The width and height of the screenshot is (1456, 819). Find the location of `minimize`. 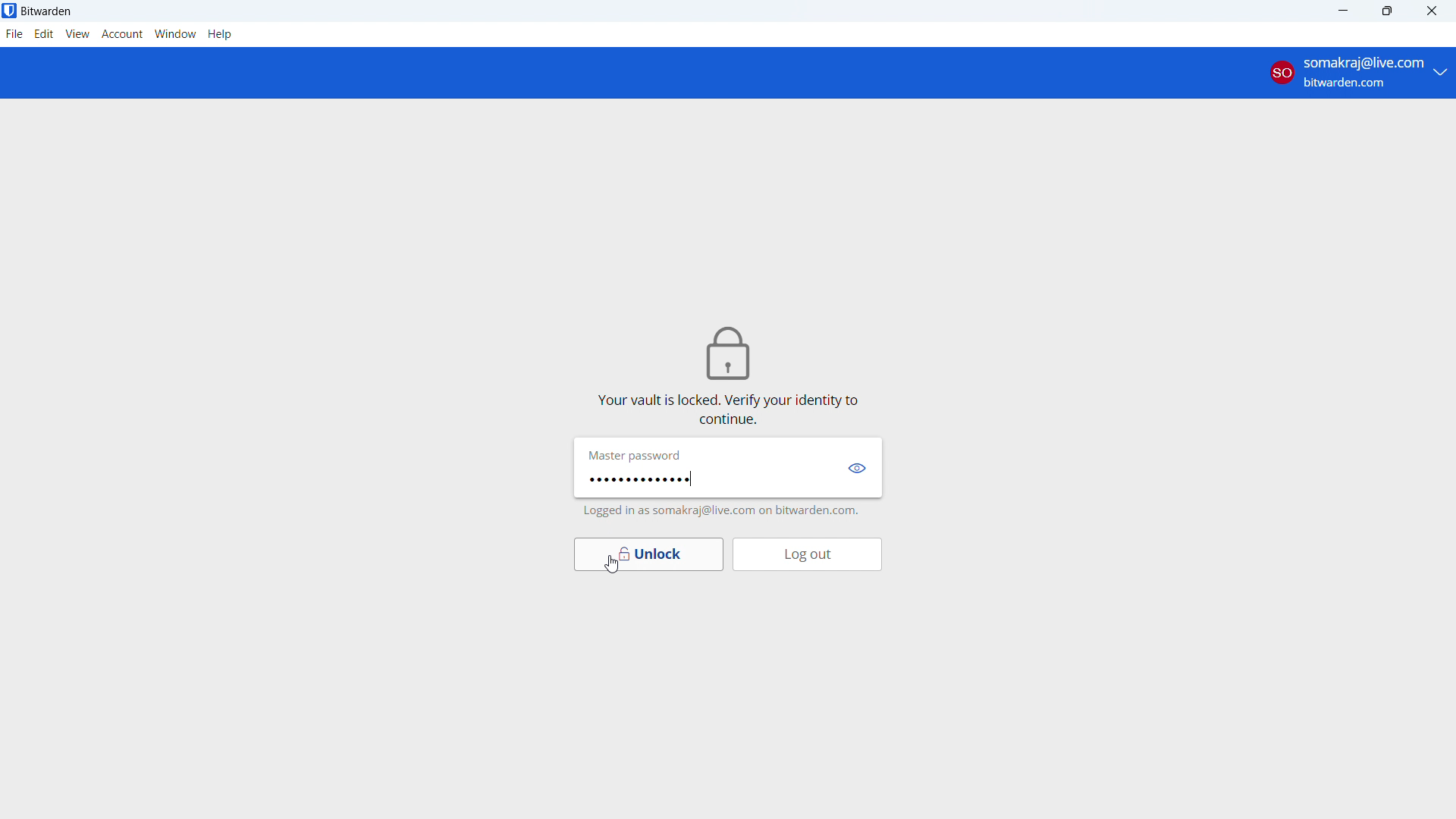

minimize is located at coordinates (1342, 11).